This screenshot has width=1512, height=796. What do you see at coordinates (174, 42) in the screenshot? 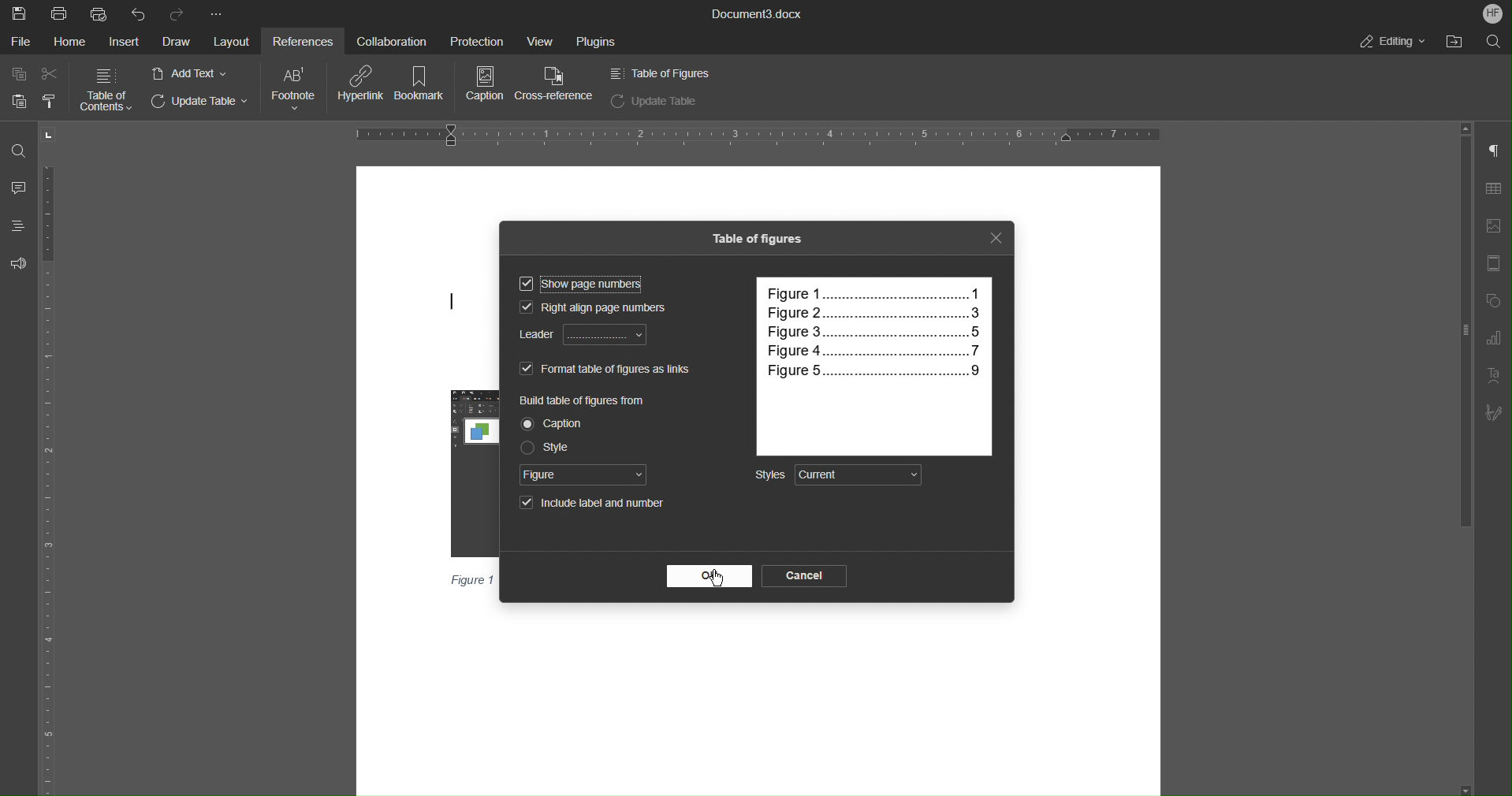
I see `Draw` at bounding box center [174, 42].